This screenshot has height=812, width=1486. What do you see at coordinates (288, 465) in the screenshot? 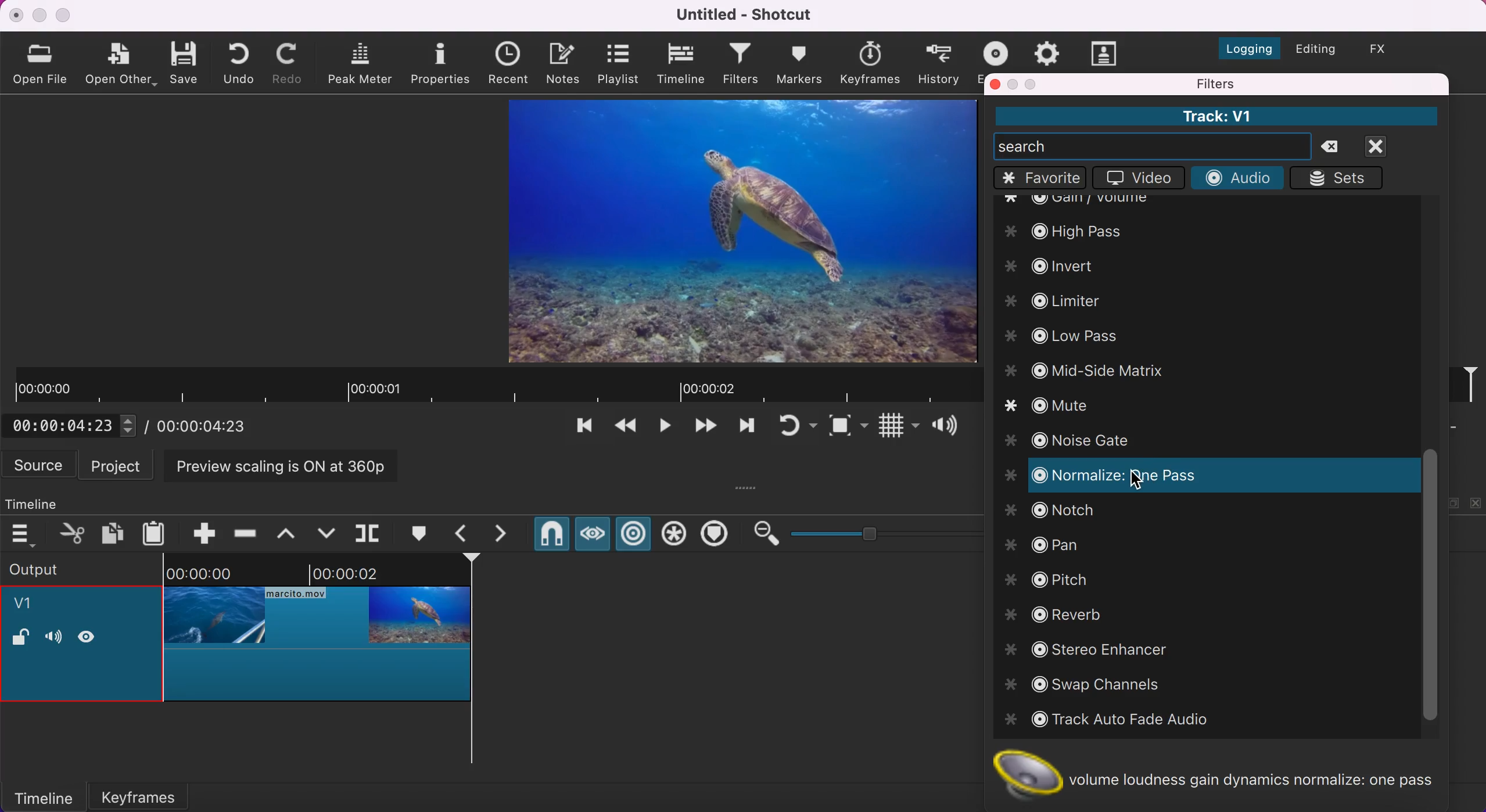
I see `preview scaling is on at 360p` at bounding box center [288, 465].